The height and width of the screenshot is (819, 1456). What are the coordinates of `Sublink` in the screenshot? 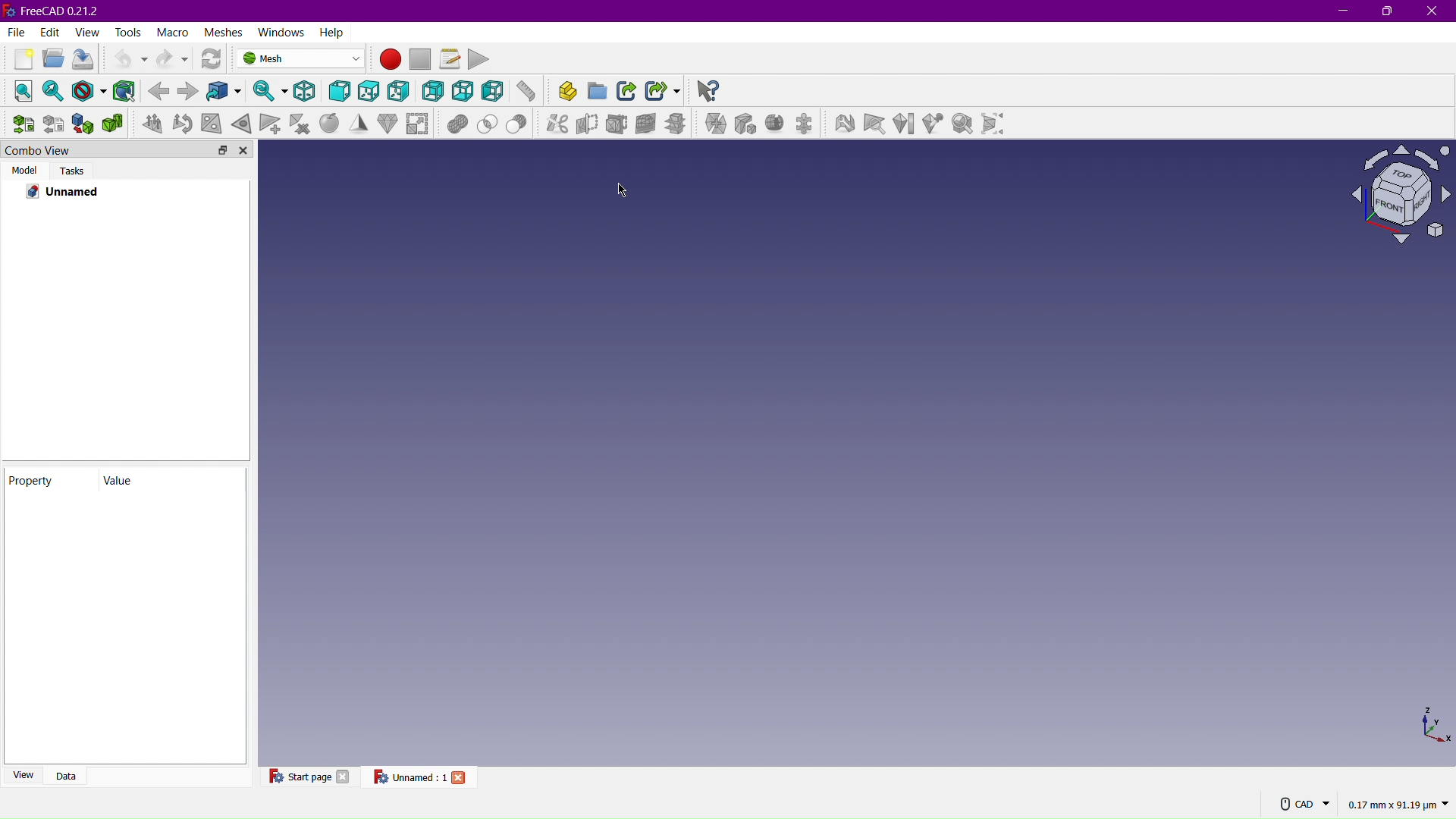 It's located at (663, 93).